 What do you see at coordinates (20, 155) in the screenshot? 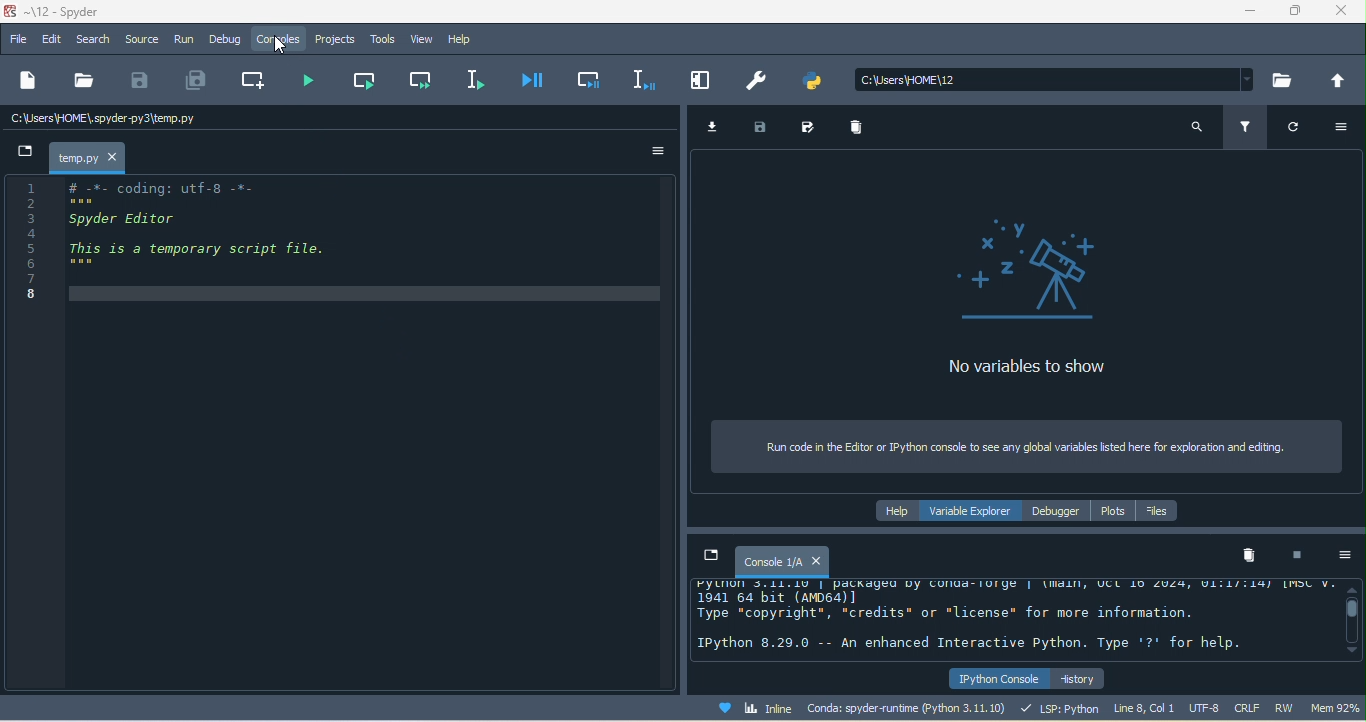
I see `browse tabs` at bounding box center [20, 155].